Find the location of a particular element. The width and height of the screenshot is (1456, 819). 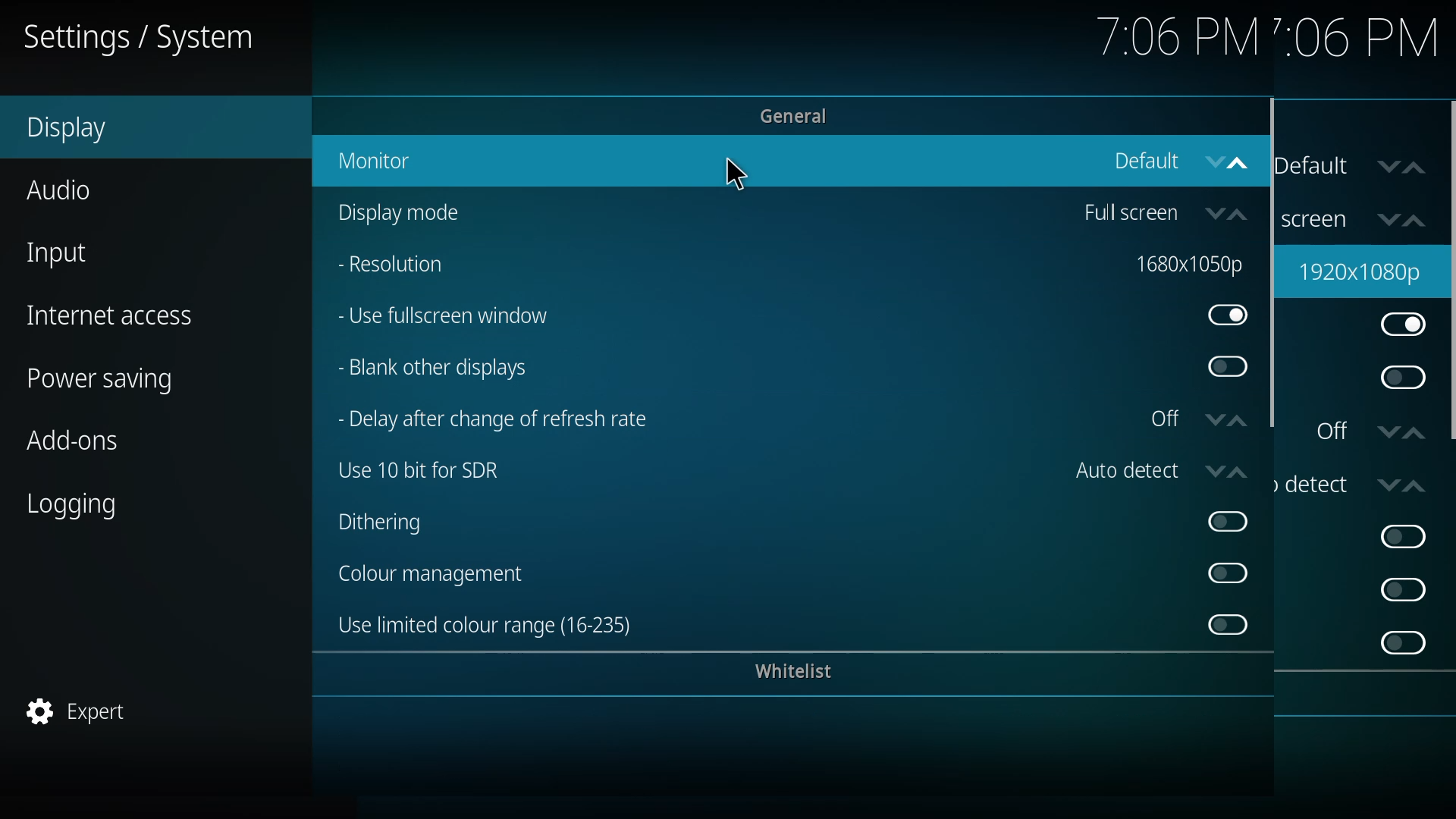

off is located at coordinates (1371, 430).